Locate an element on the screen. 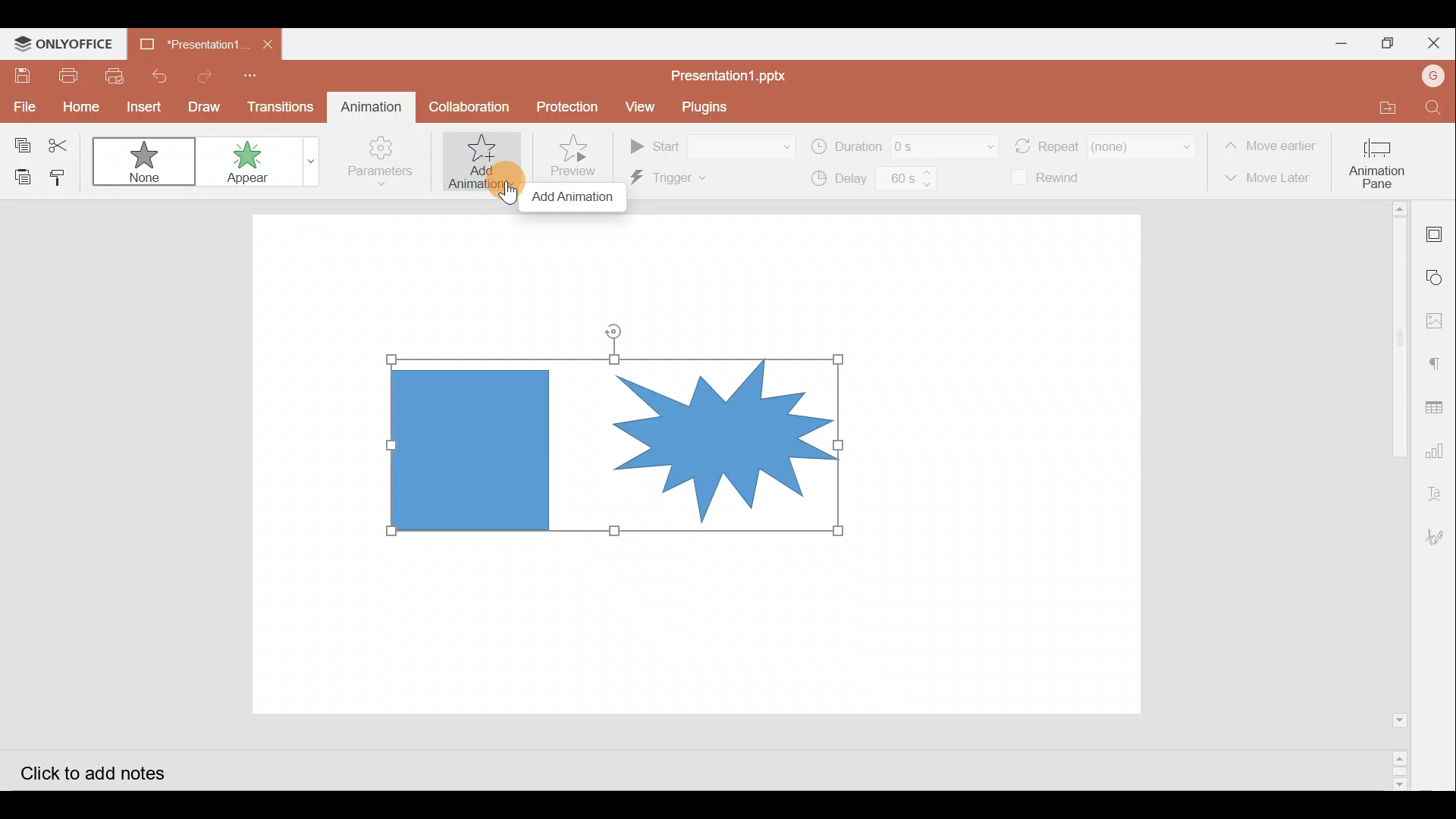 This screenshot has height=819, width=1456. Undo is located at coordinates (158, 74).